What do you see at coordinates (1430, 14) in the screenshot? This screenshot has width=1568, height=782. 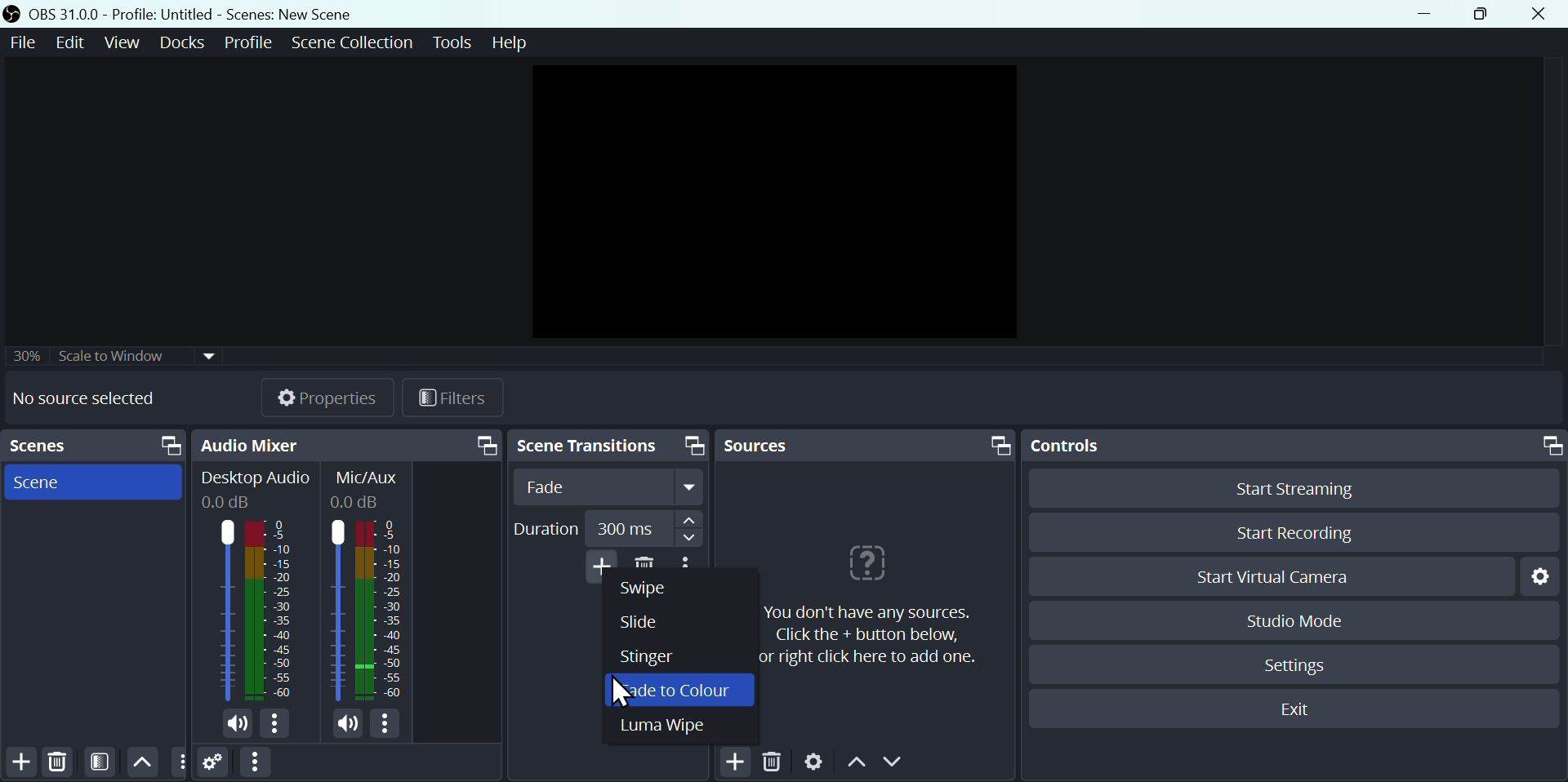 I see `minimise` at bounding box center [1430, 14].